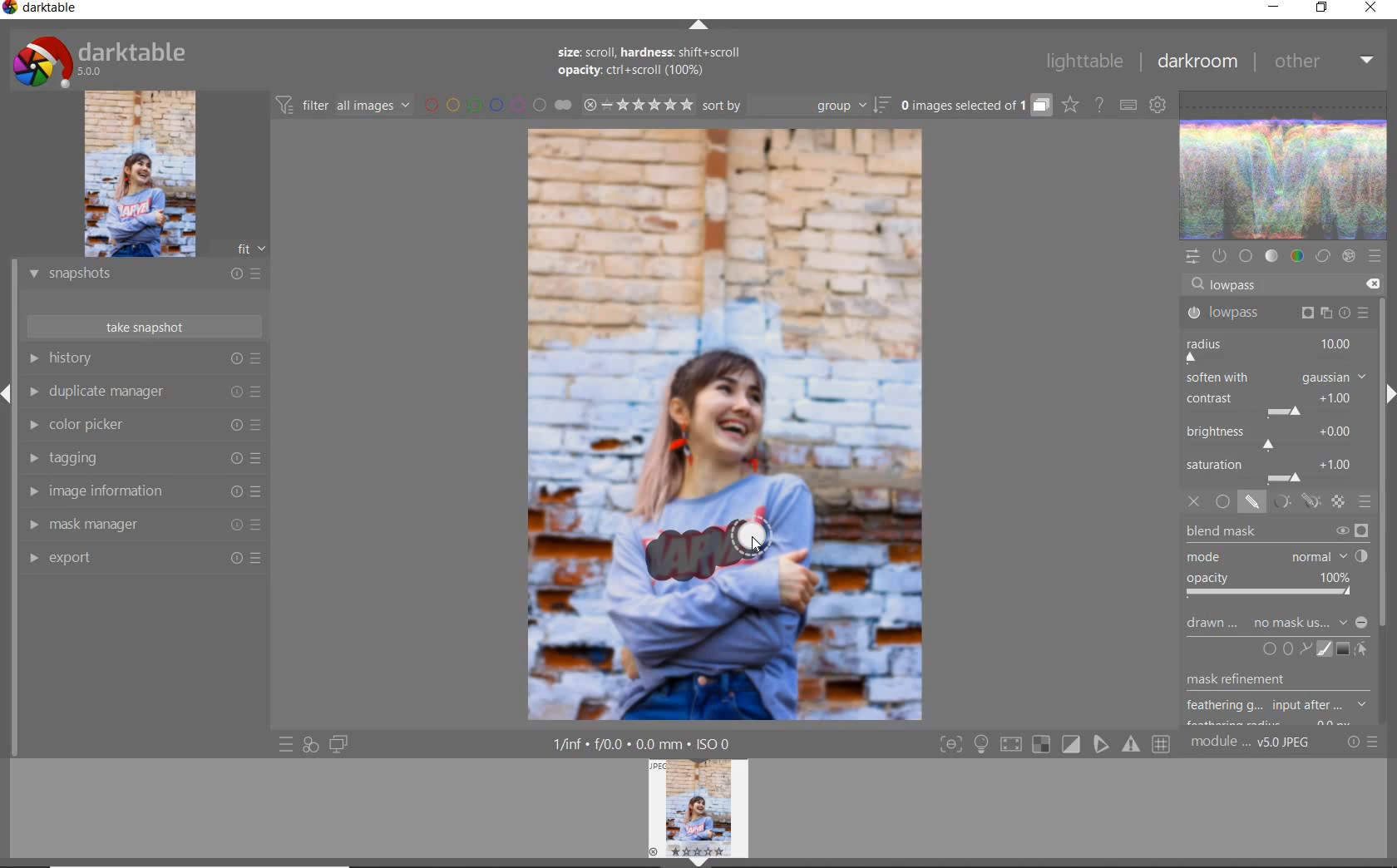 The width and height of the screenshot is (1397, 868). Describe the element at coordinates (1246, 256) in the screenshot. I see `base` at that location.